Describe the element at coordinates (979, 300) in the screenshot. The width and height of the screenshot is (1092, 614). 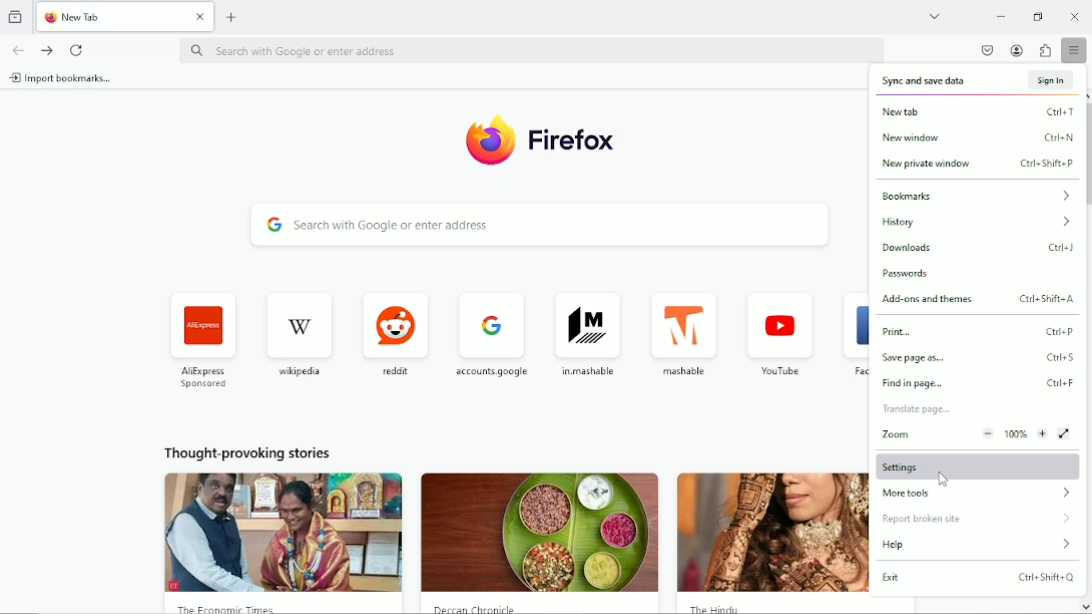
I see `add-ons and themes` at that location.